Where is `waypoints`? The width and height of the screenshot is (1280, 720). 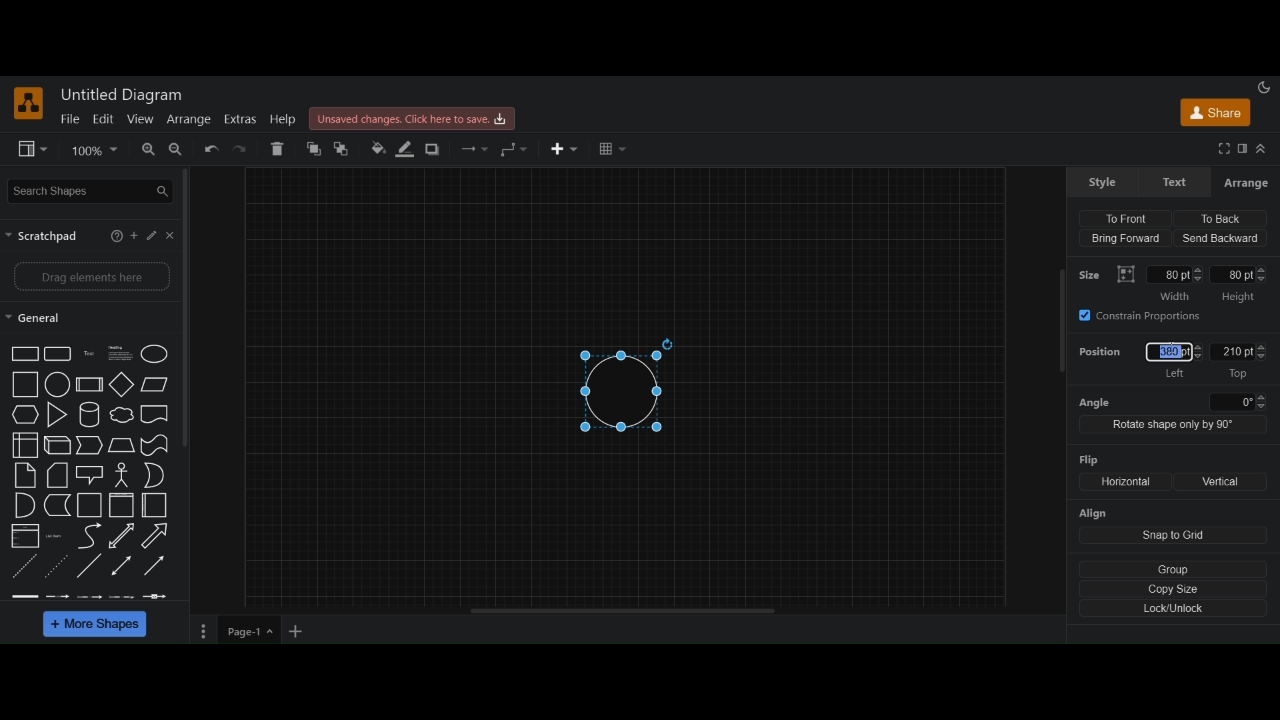
waypoints is located at coordinates (514, 149).